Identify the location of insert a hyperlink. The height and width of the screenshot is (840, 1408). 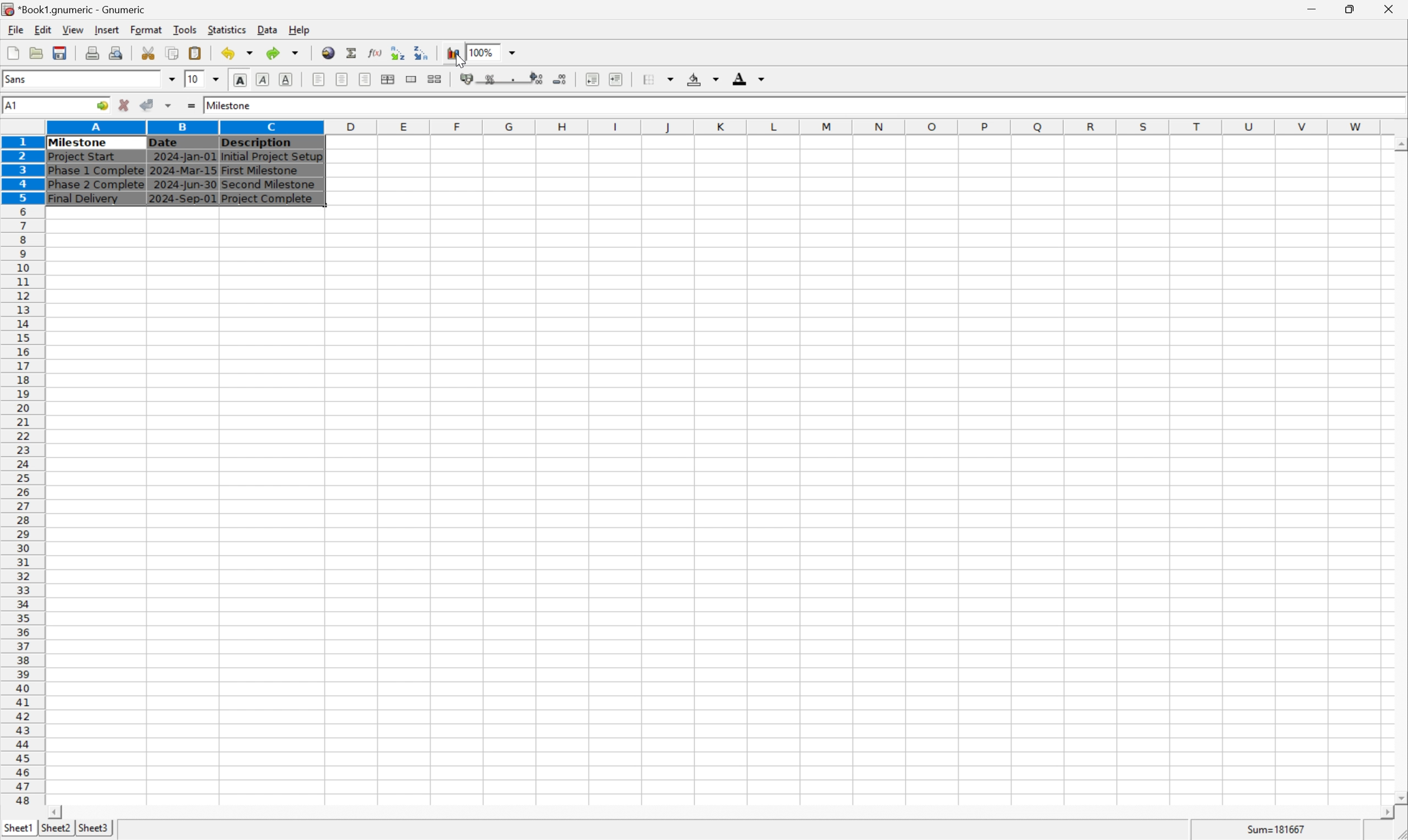
(329, 53).